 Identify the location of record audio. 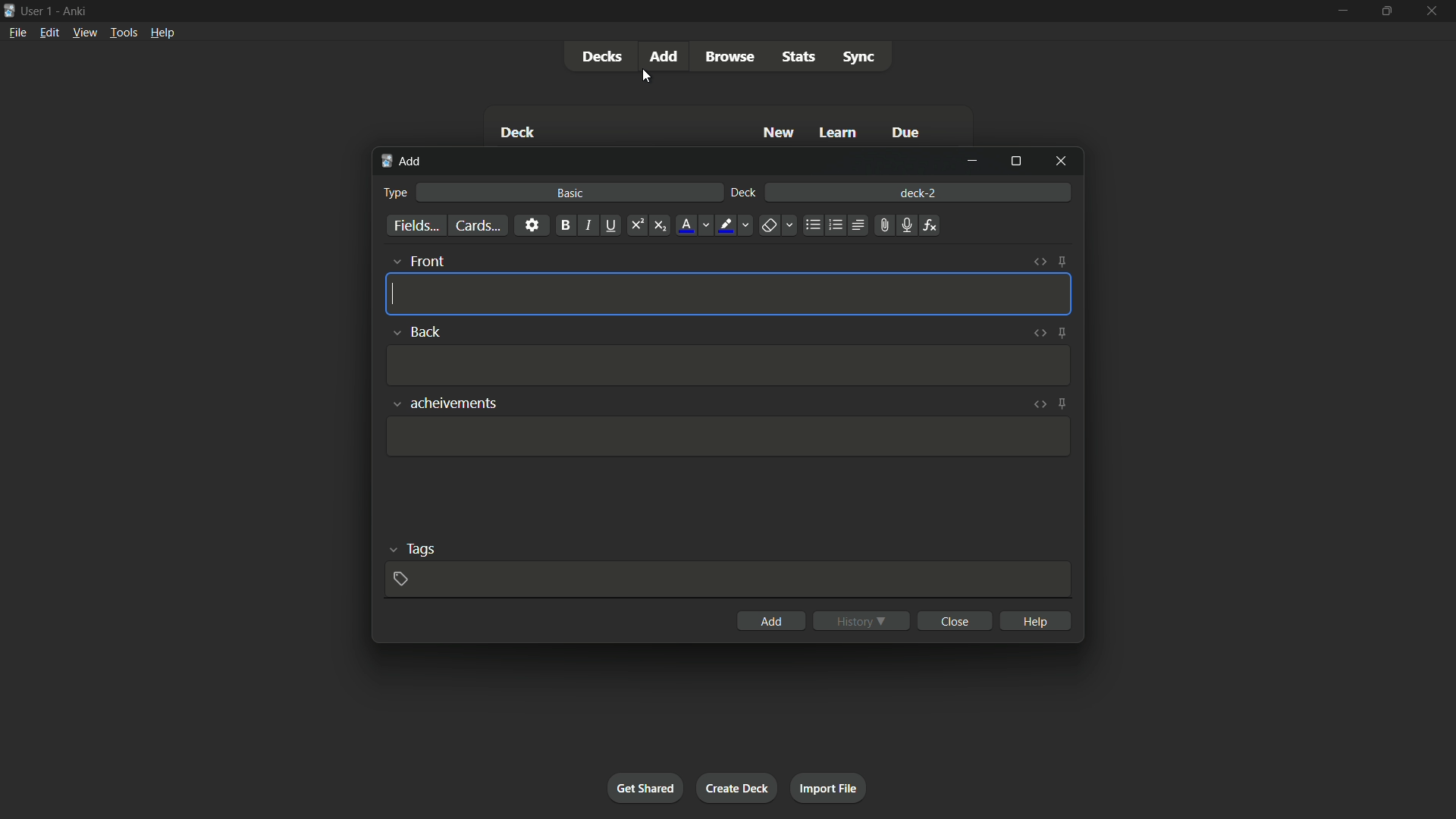
(906, 225).